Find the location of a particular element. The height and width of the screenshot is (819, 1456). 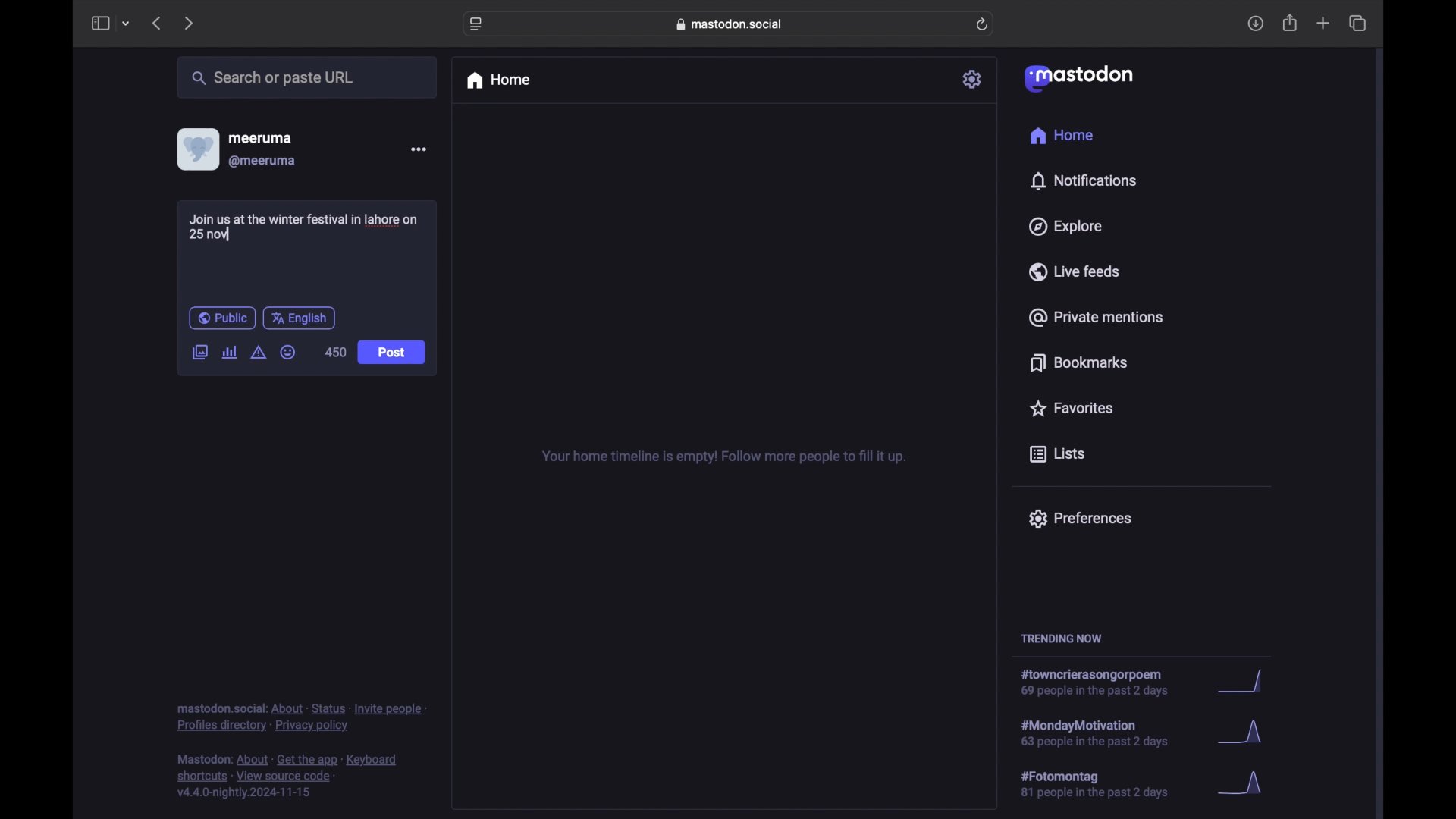

new tab is located at coordinates (1323, 23).